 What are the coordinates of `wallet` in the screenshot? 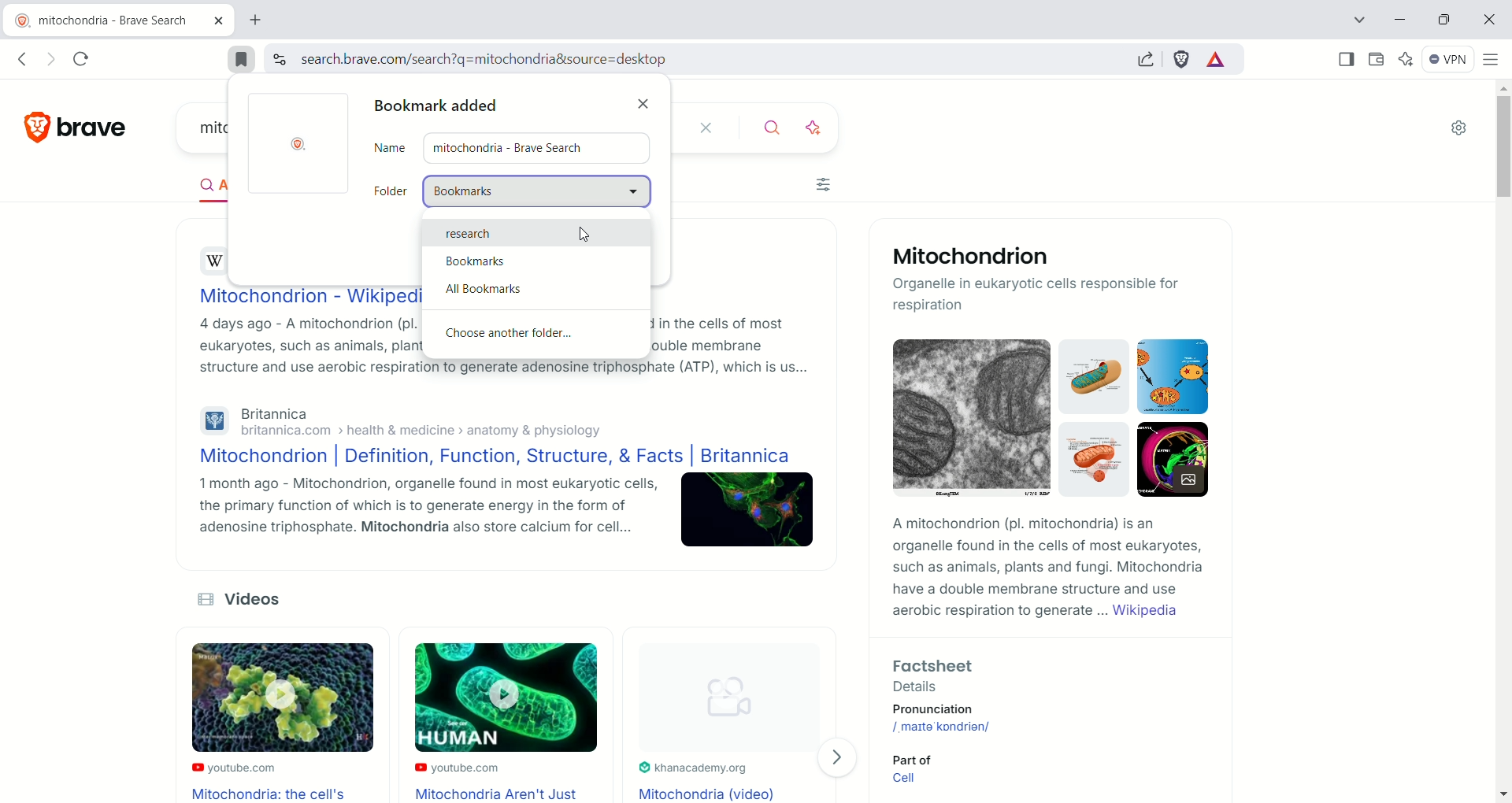 It's located at (1377, 60).